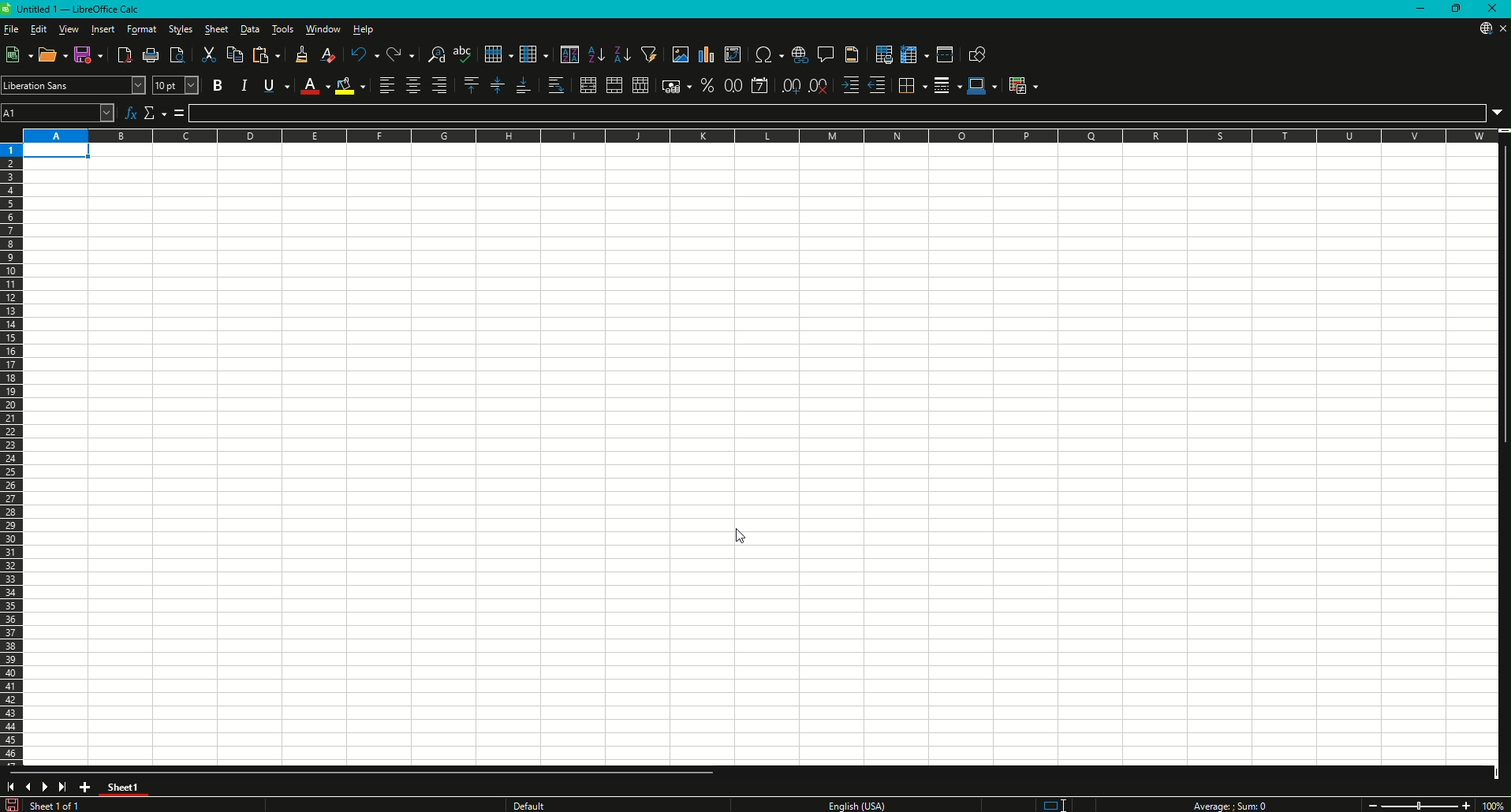 This screenshot has width=1511, height=812. I want to click on Text, so click(1228, 805).